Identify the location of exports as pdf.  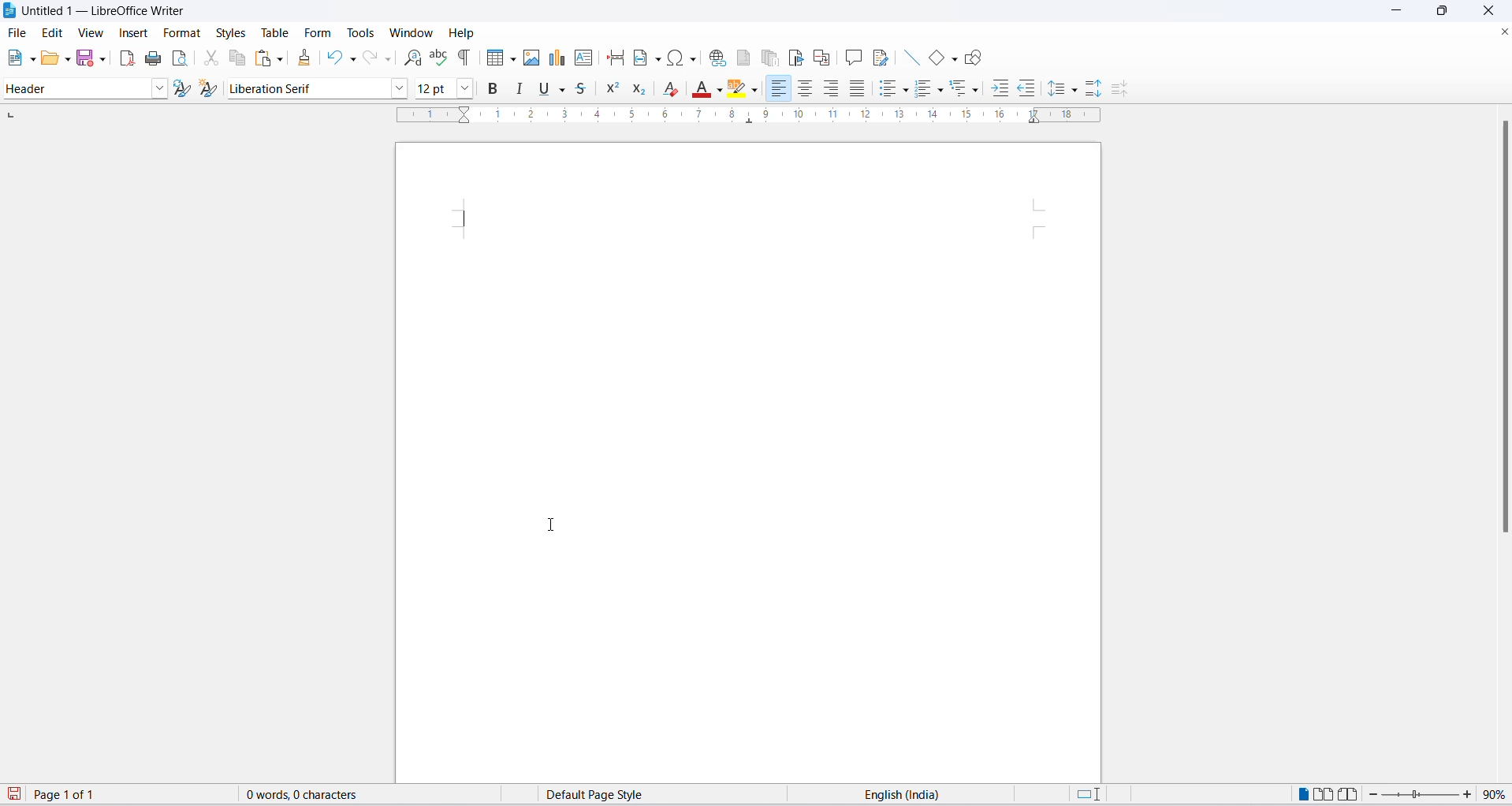
(123, 58).